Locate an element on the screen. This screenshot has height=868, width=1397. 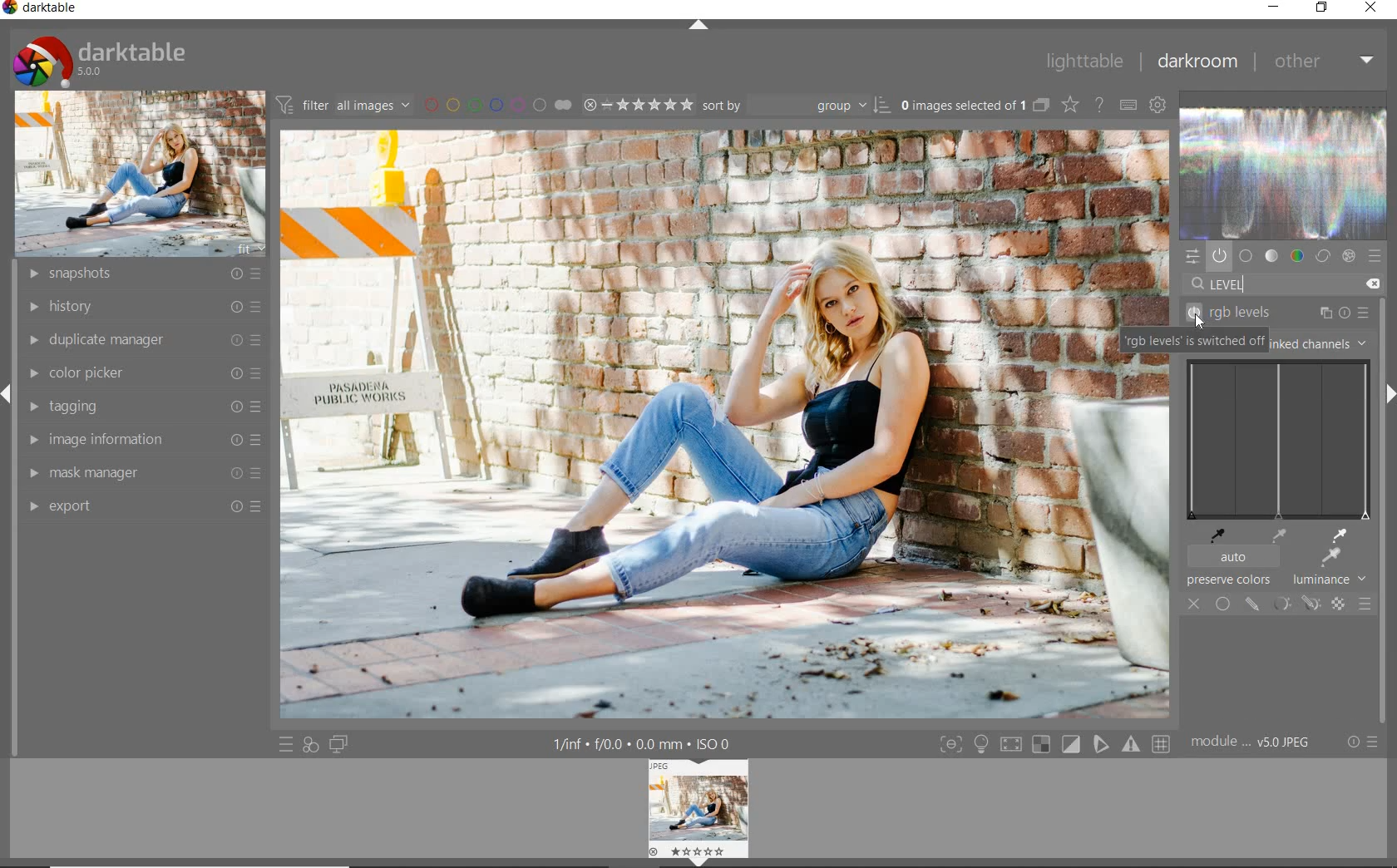
show global preferences is located at coordinates (1160, 106).